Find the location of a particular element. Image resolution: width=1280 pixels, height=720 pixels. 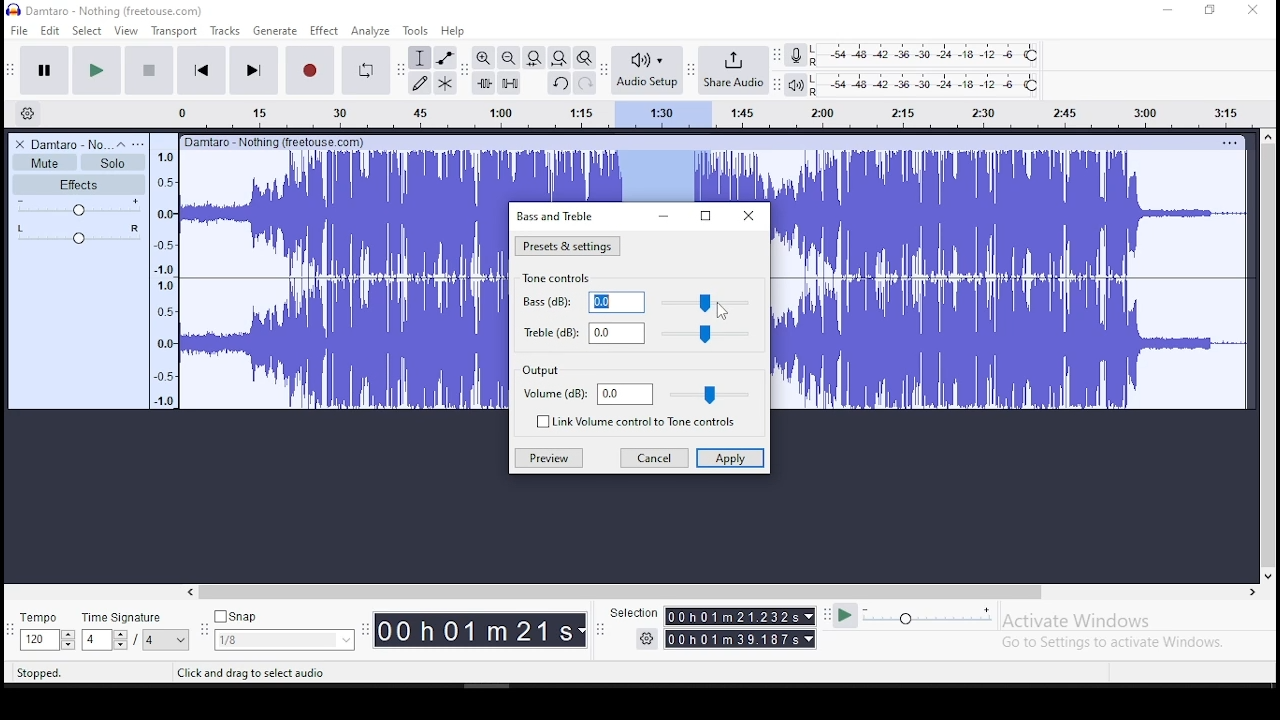

up is located at coordinates (1267, 136).